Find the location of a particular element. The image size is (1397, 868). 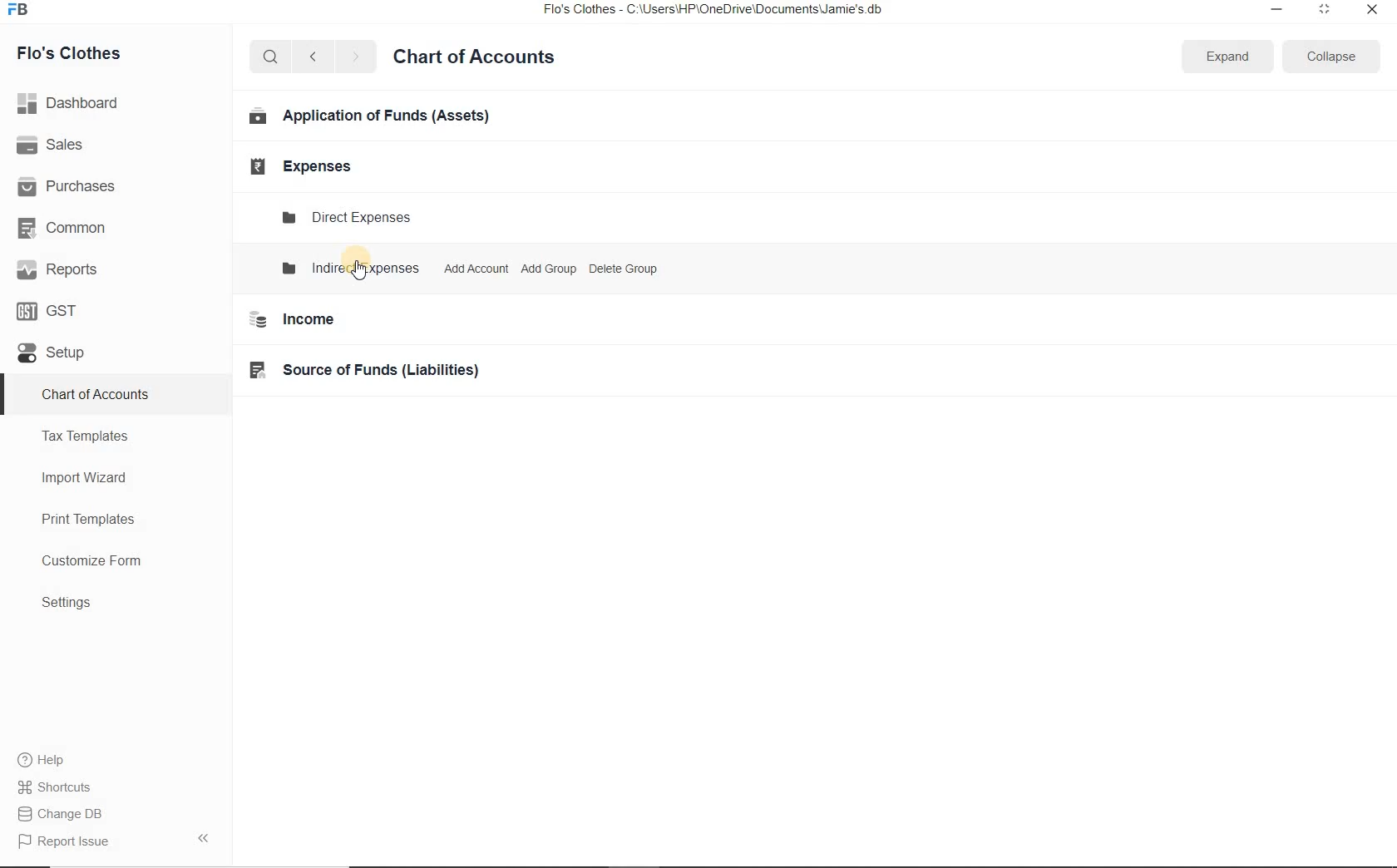

Settings is located at coordinates (67, 602).